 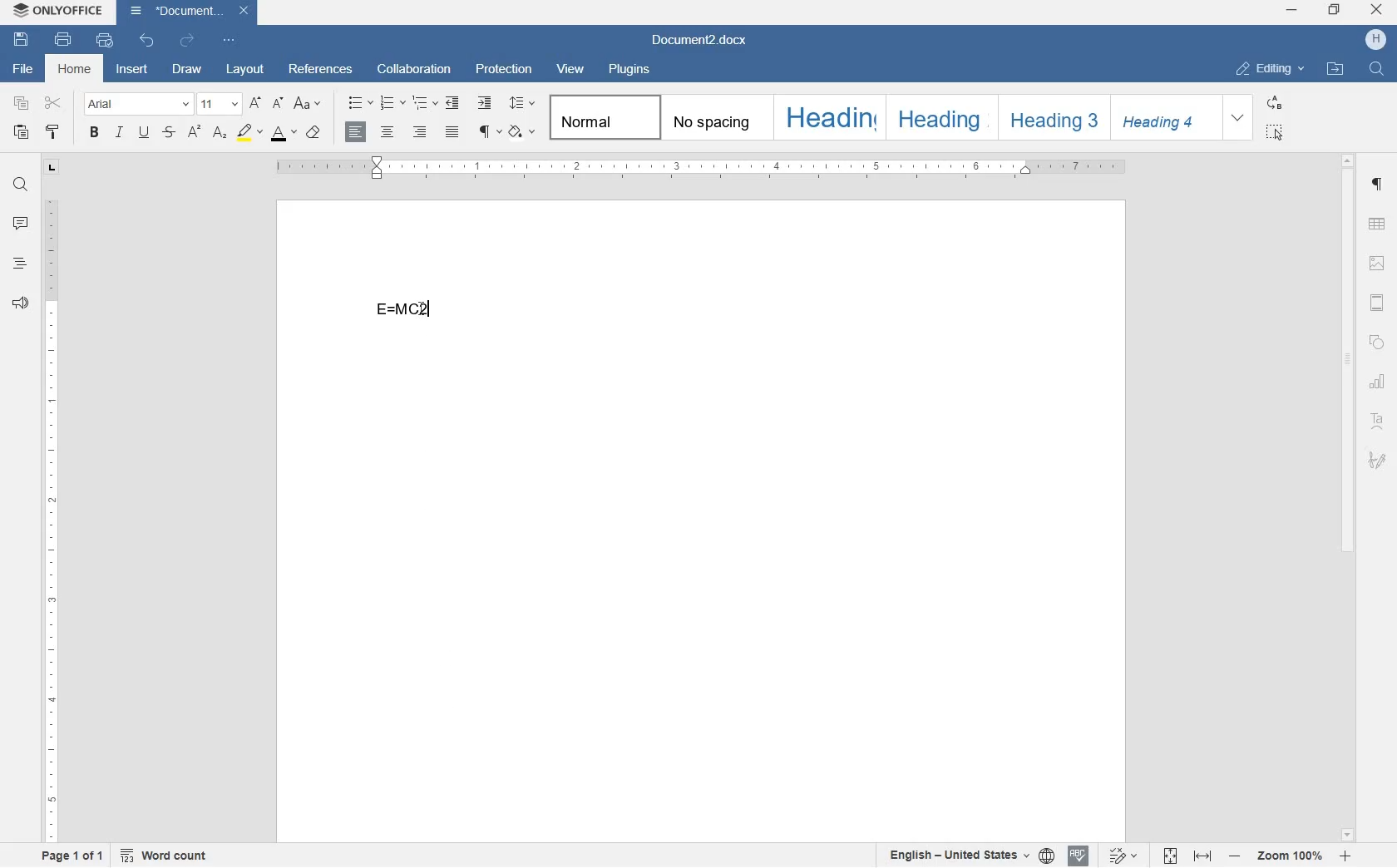 What do you see at coordinates (454, 104) in the screenshot?
I see `decrease indent` at bounding box center [454, 104].